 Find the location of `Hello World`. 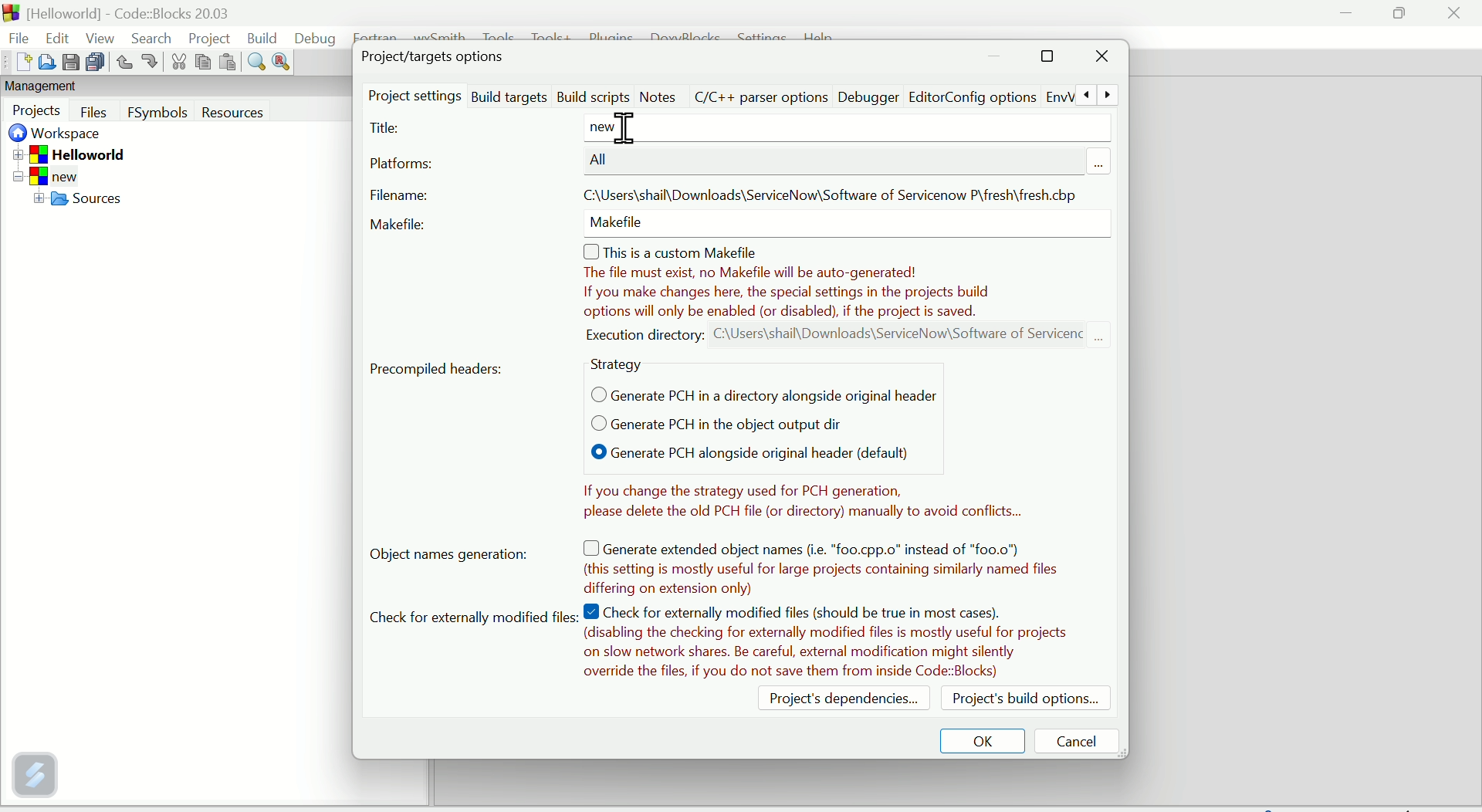

Hello World is located at coordinates (91, 154).